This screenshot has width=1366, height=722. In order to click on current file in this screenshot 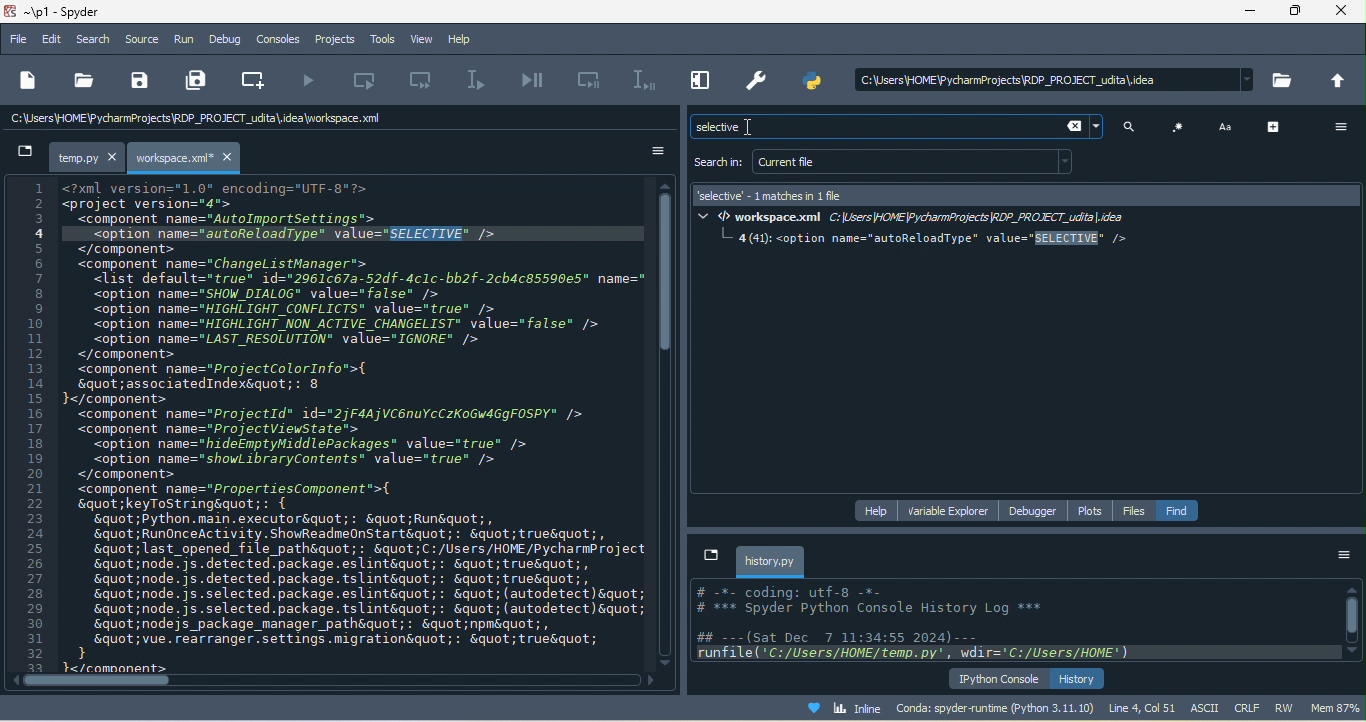, I will do `click(916, 162)`.